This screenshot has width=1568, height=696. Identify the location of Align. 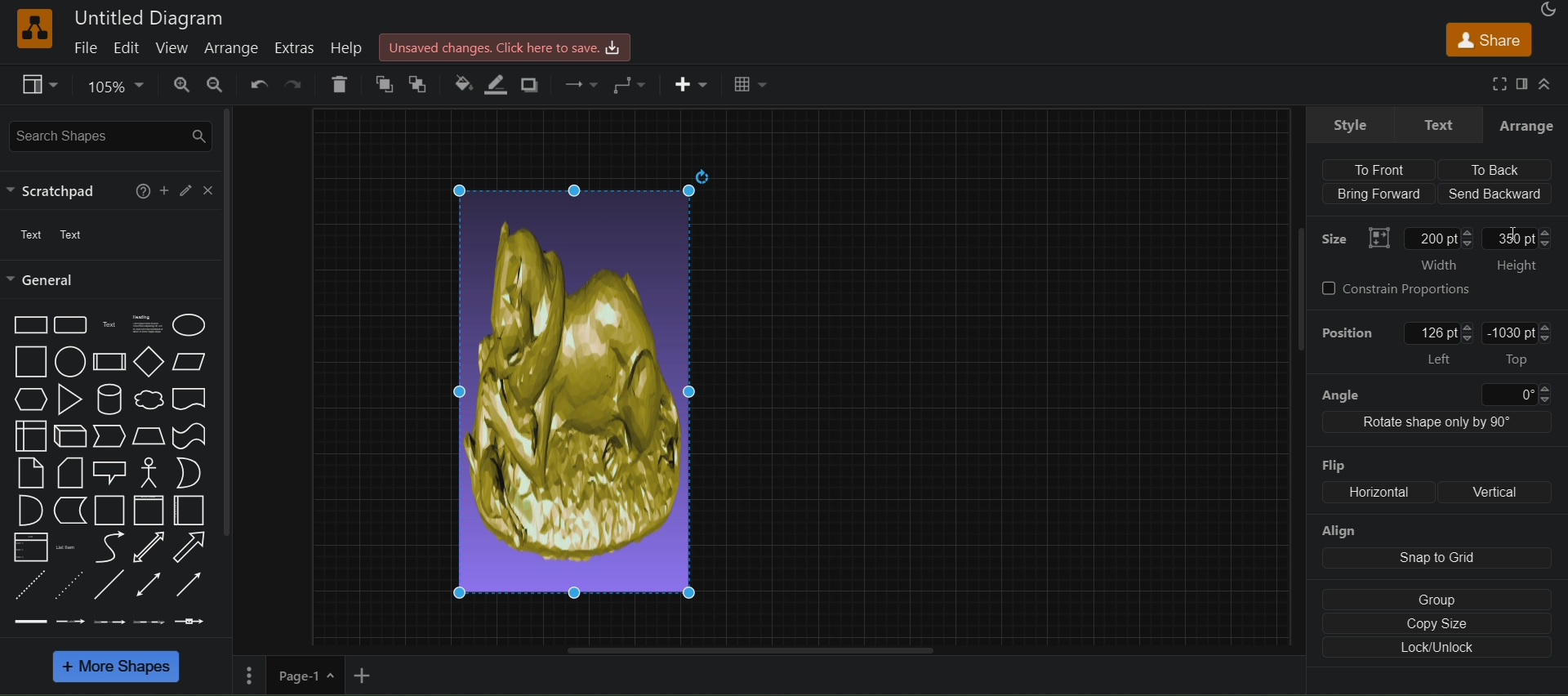
(1340, 532).